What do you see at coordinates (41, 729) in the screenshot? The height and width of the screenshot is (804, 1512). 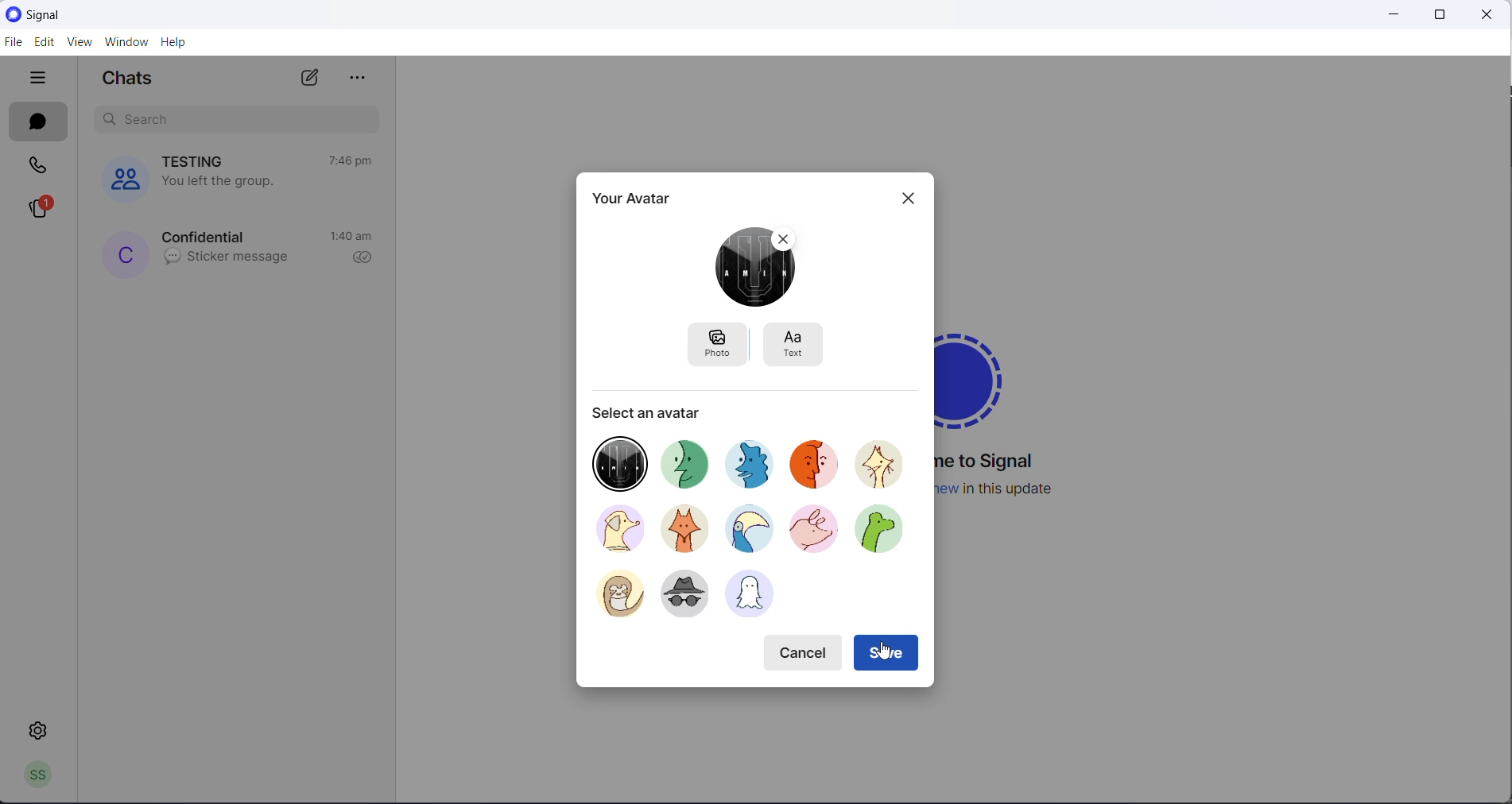 I see `settings` at bounding box center [41, 729].